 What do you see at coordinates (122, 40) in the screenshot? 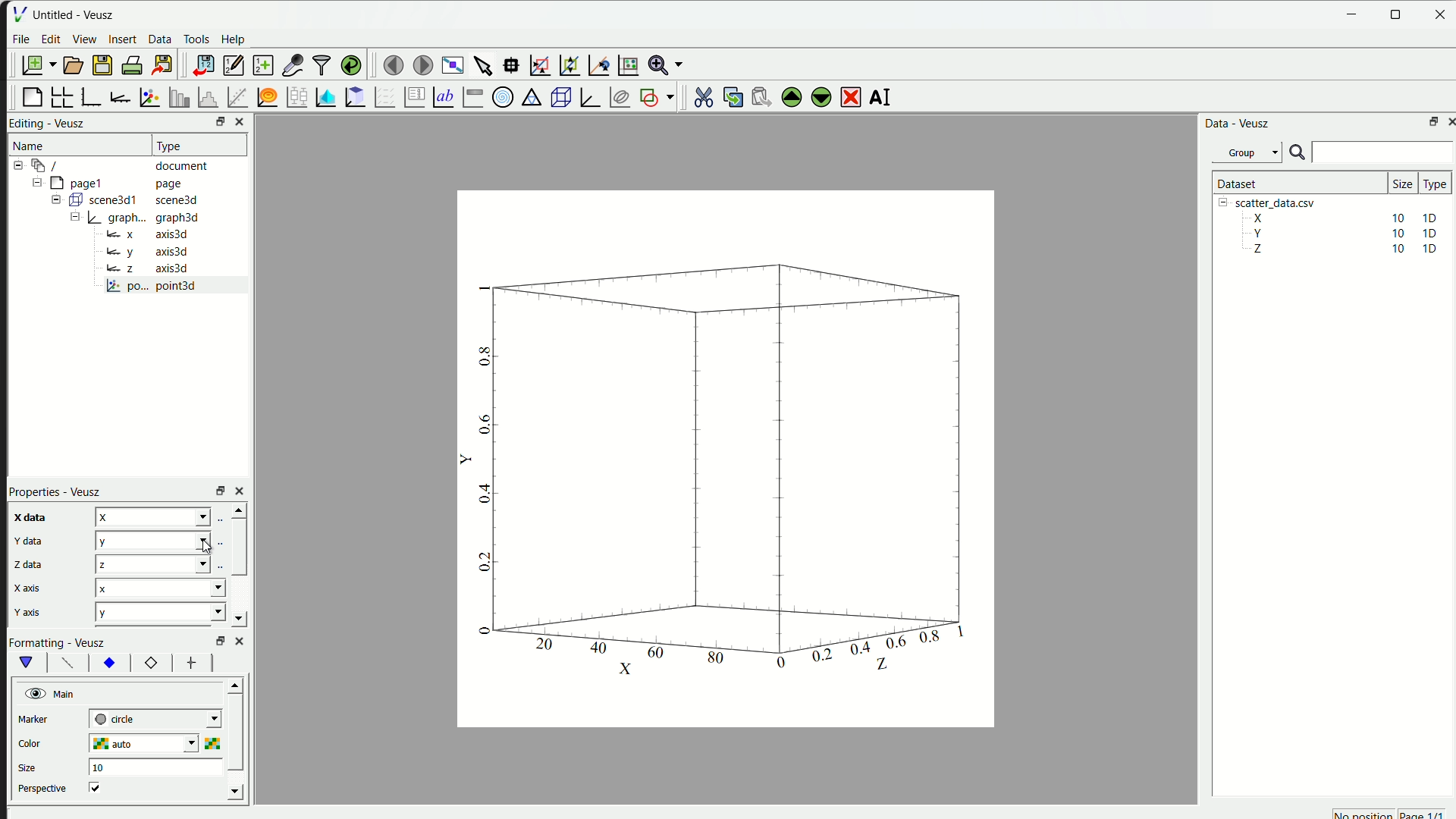
I see `insert` at bounding box center [122, 40].